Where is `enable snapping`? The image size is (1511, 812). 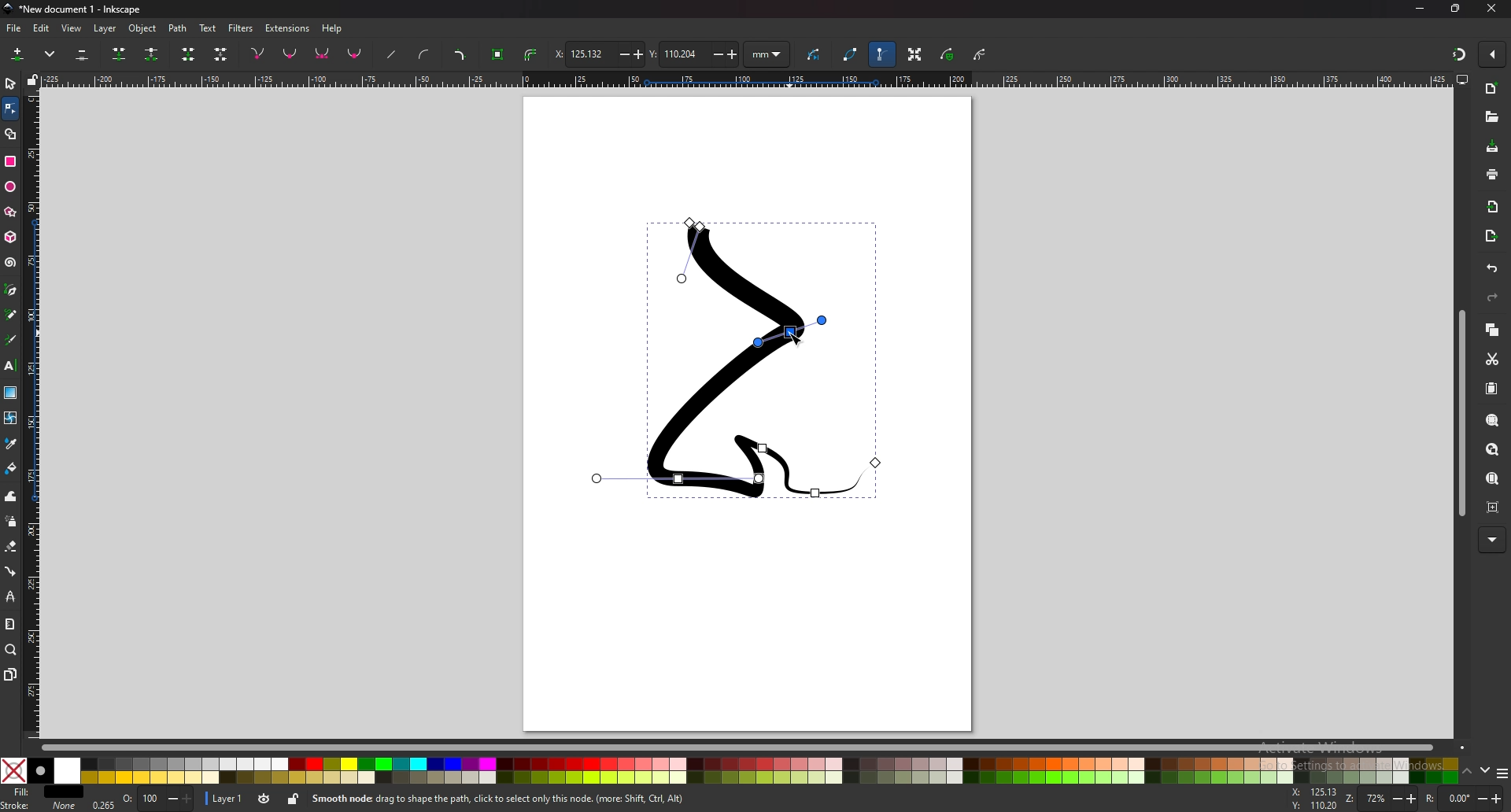
enable snapping is located at coordinates (1494, 54).